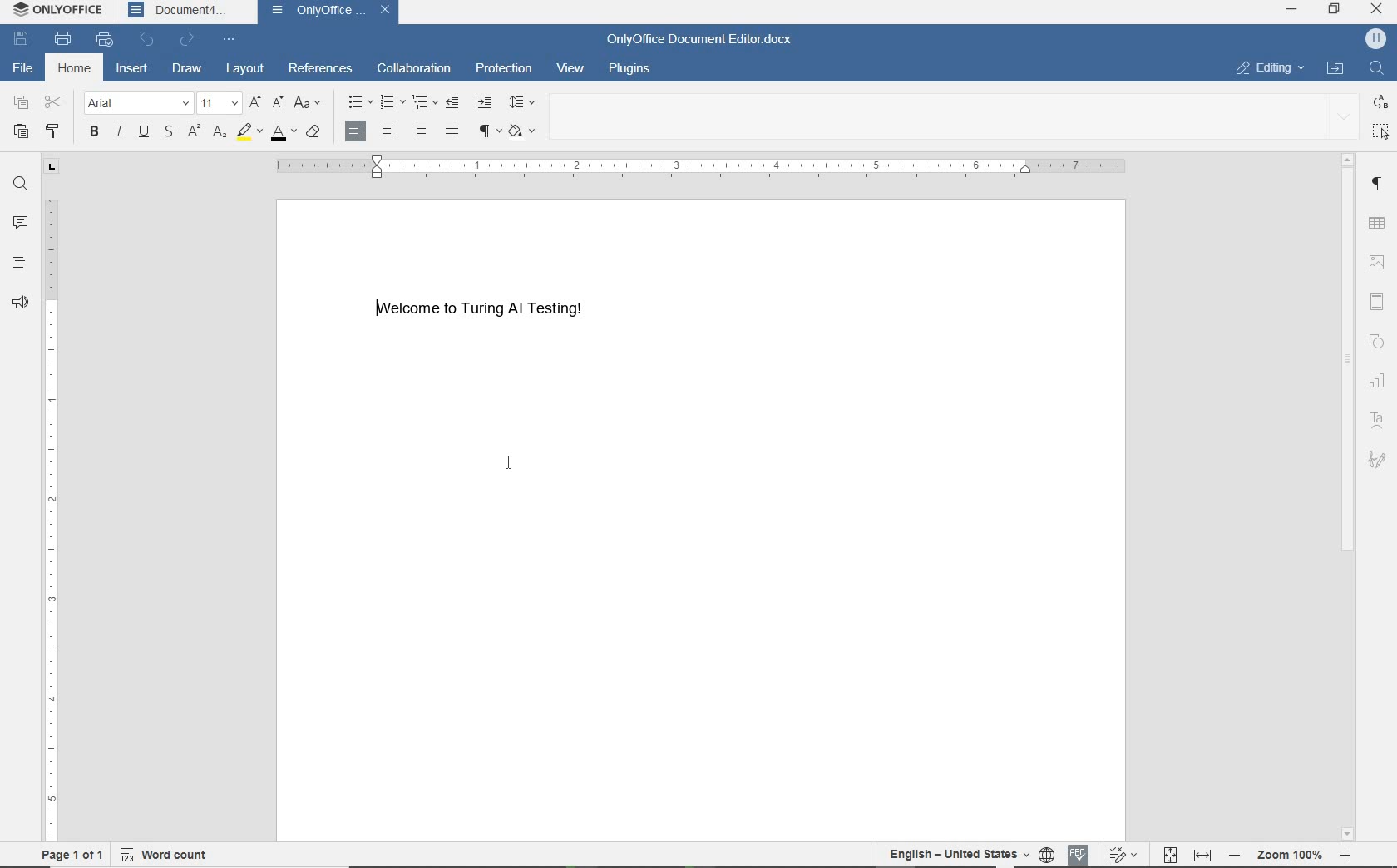 The width and height of the screenshot is (1397, 868). I want to click on plugins, so click(628, 71).